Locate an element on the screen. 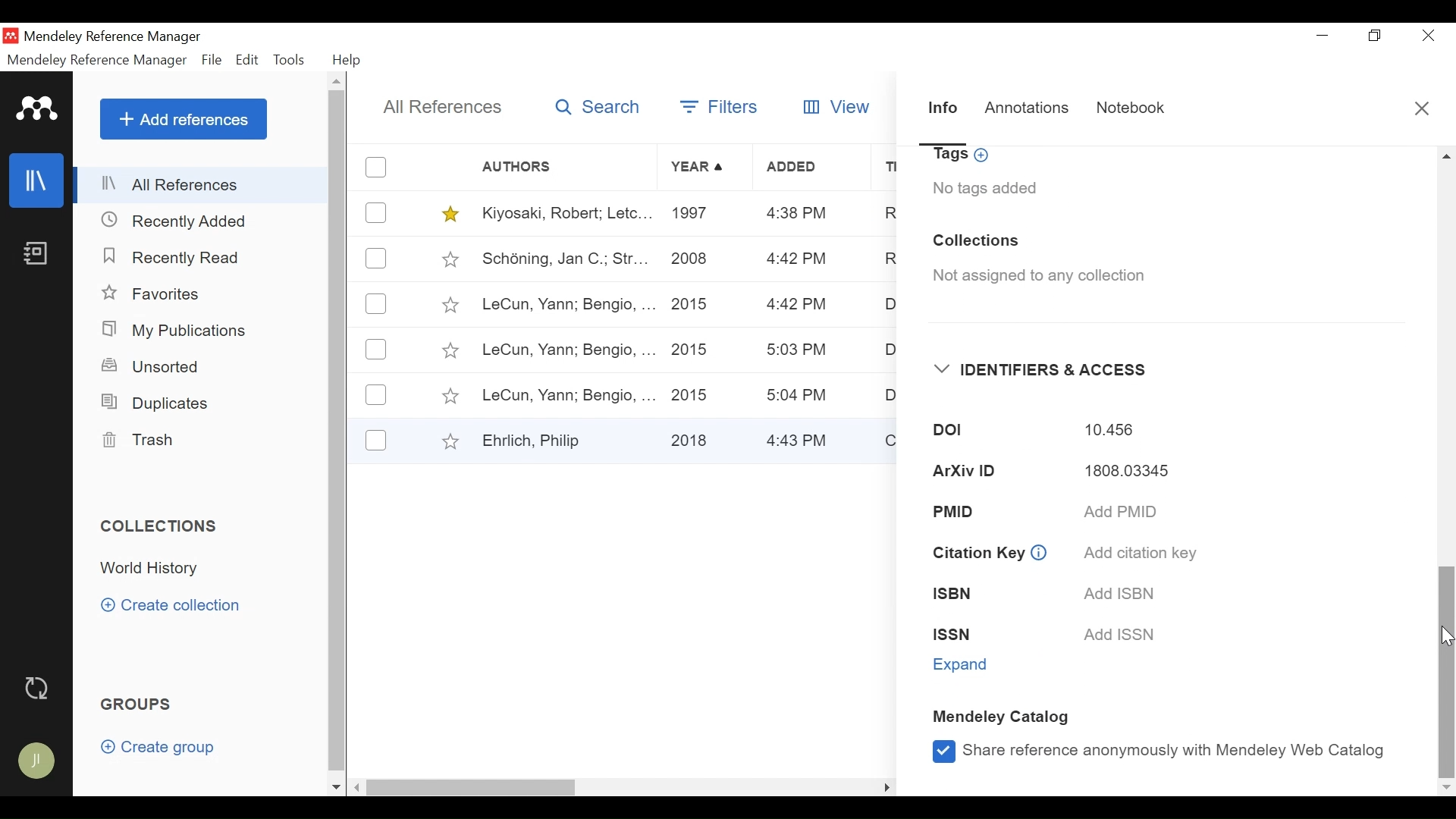  Mendeley Reference Manager is located at coordinates (99, 60).